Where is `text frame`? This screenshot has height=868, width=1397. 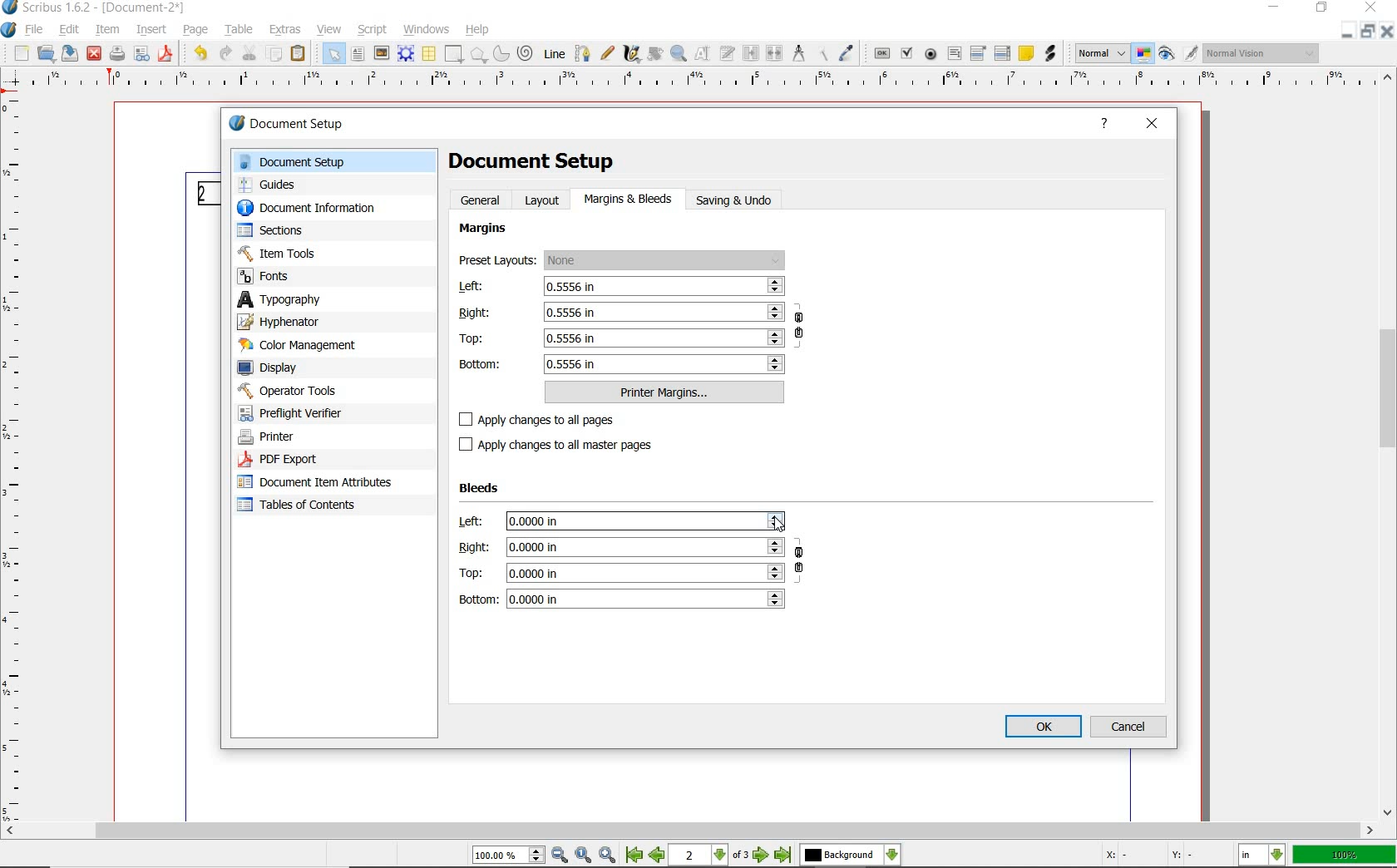 text frame is located at coordinates (358, 55).